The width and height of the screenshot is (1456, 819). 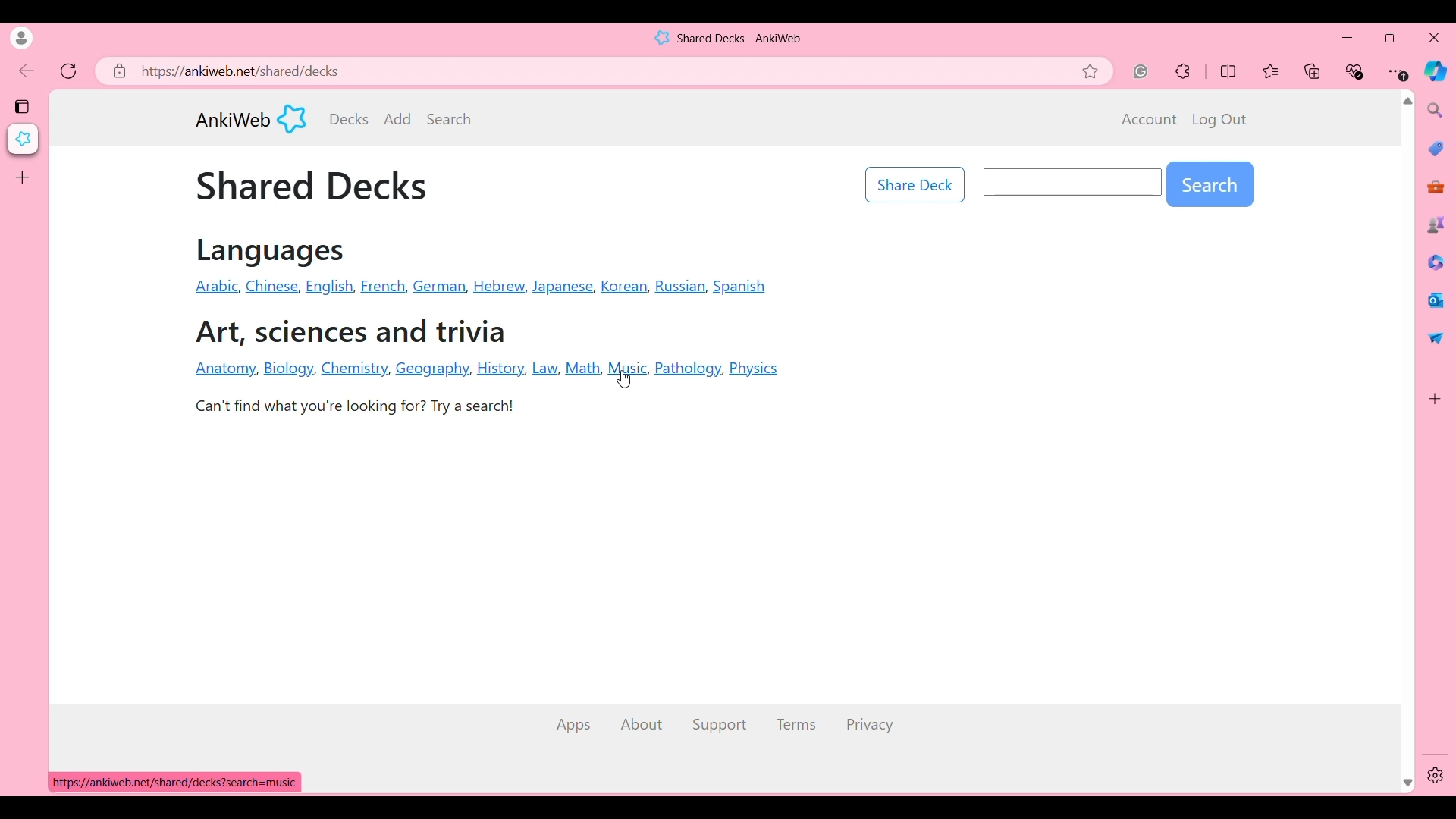 I want to click on Browser essentials, so click(x=1356, y=71).